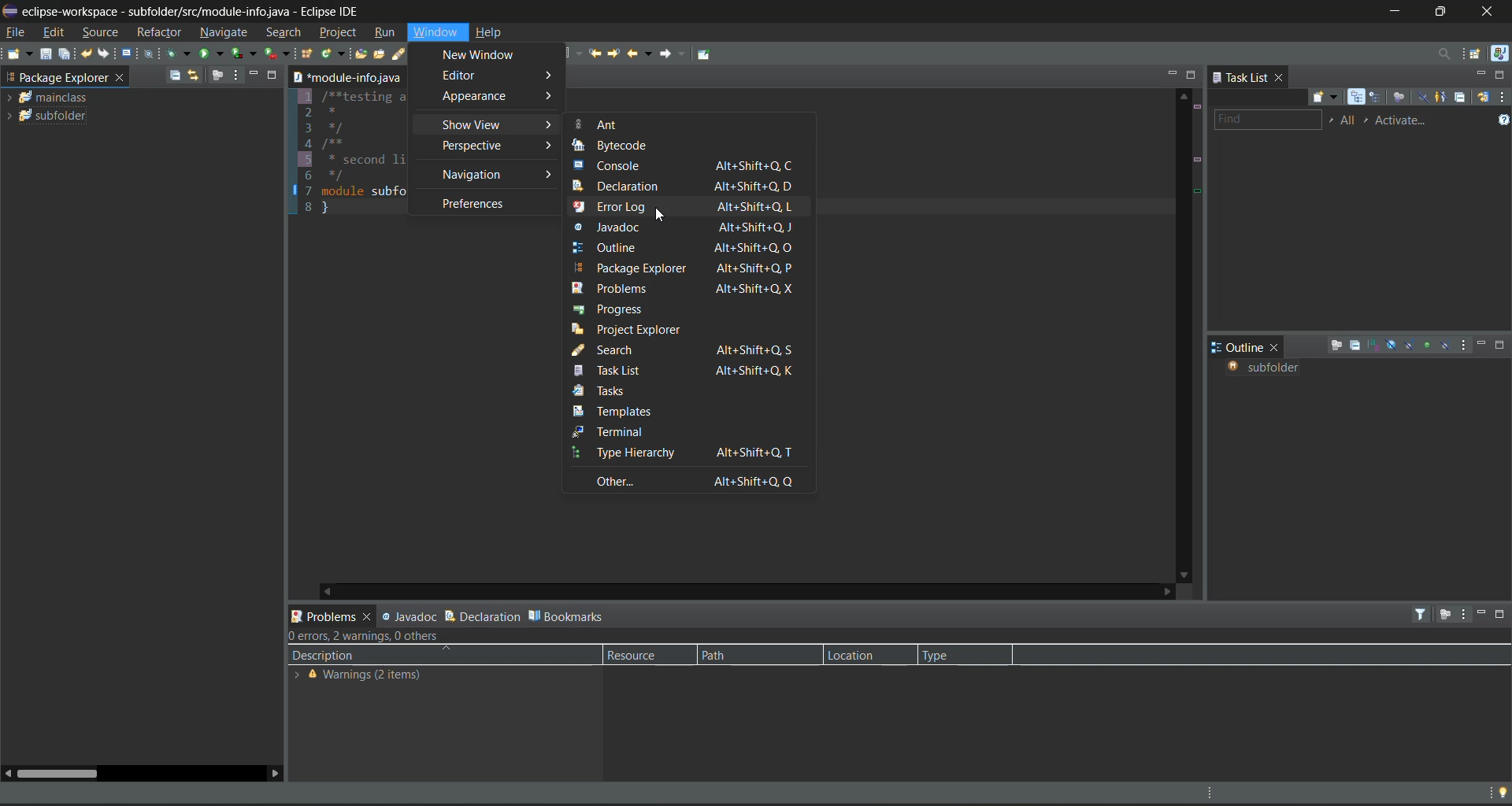 Image resolution: width=1512 pixels, height=806 pixels. I want to click on module info java, so click(347, 77).